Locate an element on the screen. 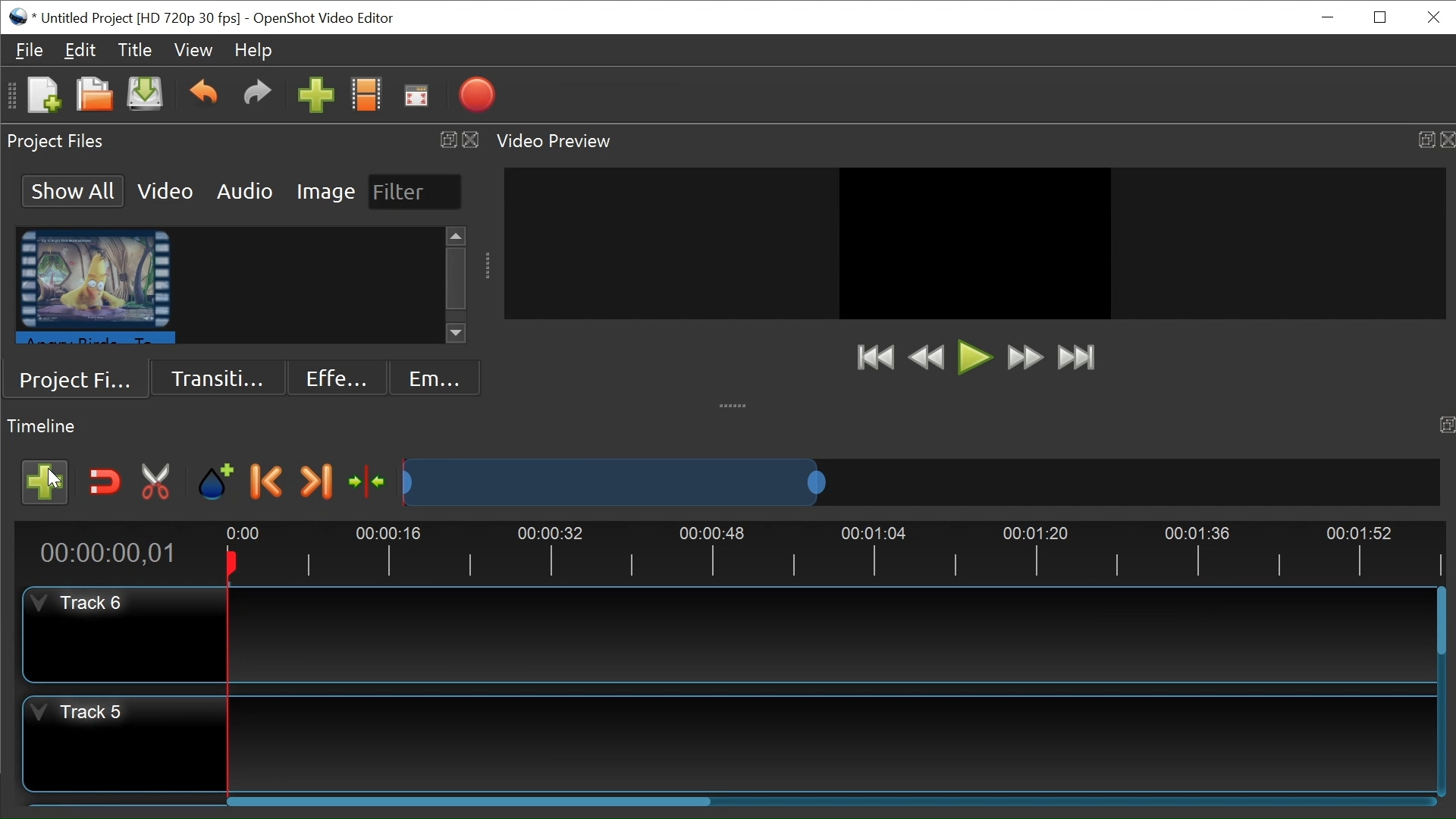  Next Marker is located at coordinates (317, 481).